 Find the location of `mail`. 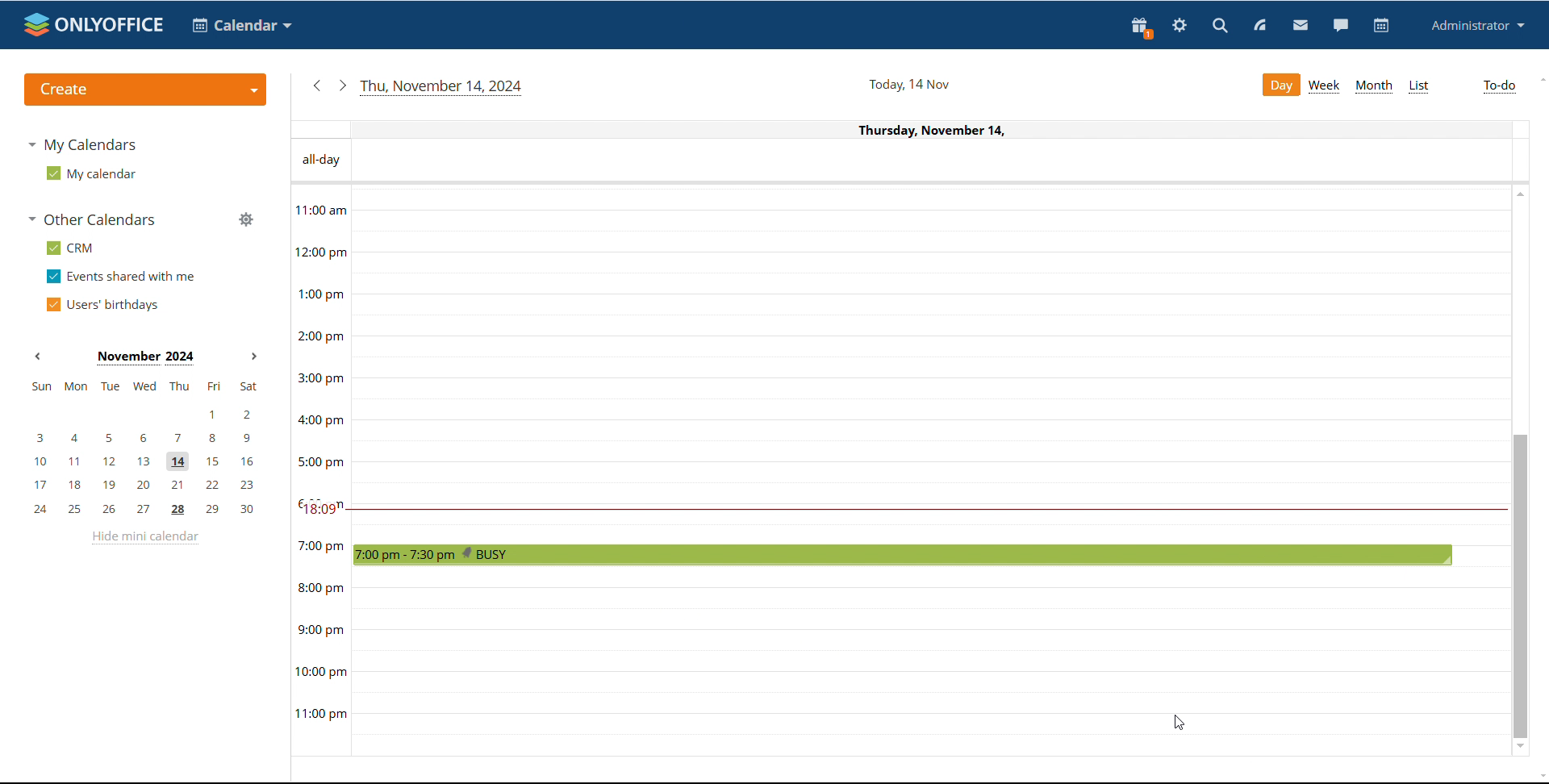

mail is located at coordinates (1301, 26).